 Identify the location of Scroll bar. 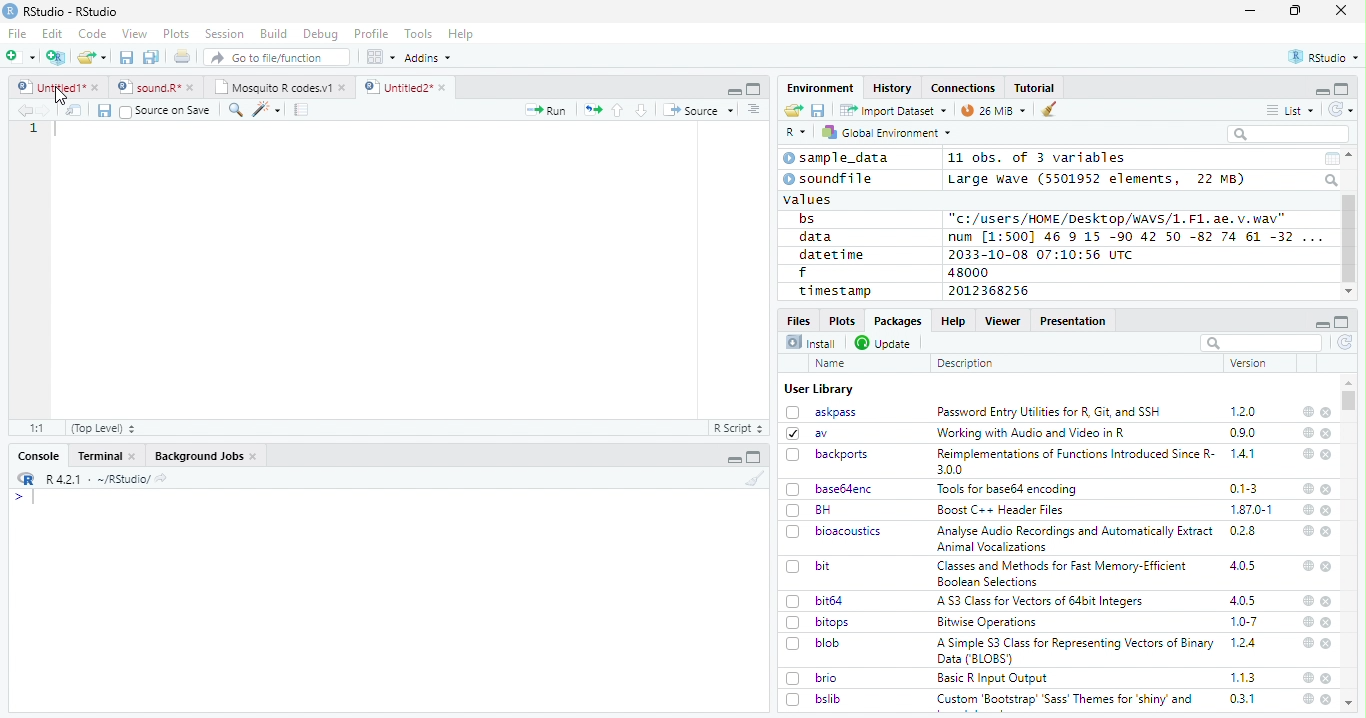
(1350, 239).